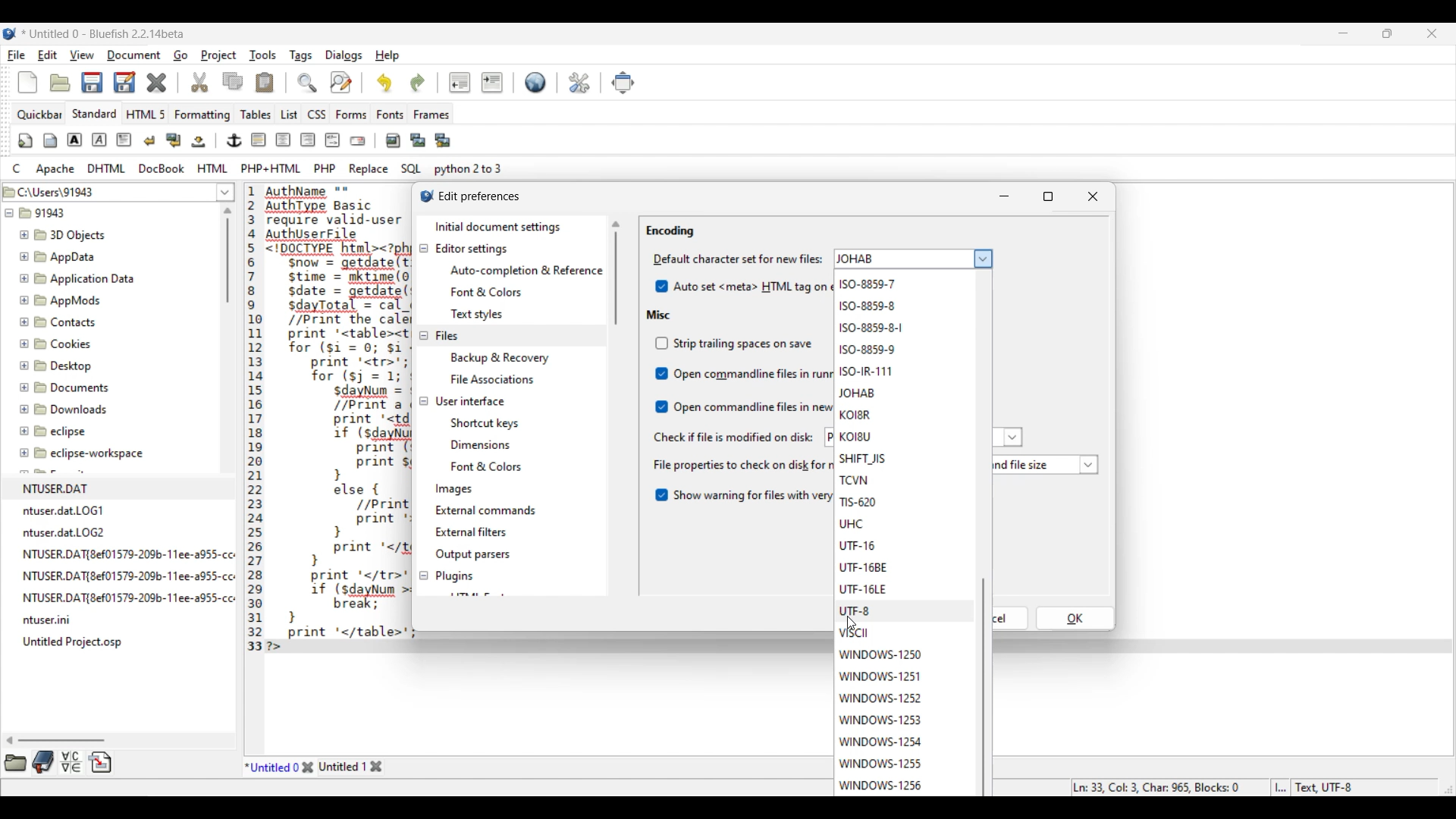 The width and height of the screenshot is (1456, 819). What do you see at coordinates (851, 629) in the screenshot?
I see `cursor` at bounding box center [851, 629].